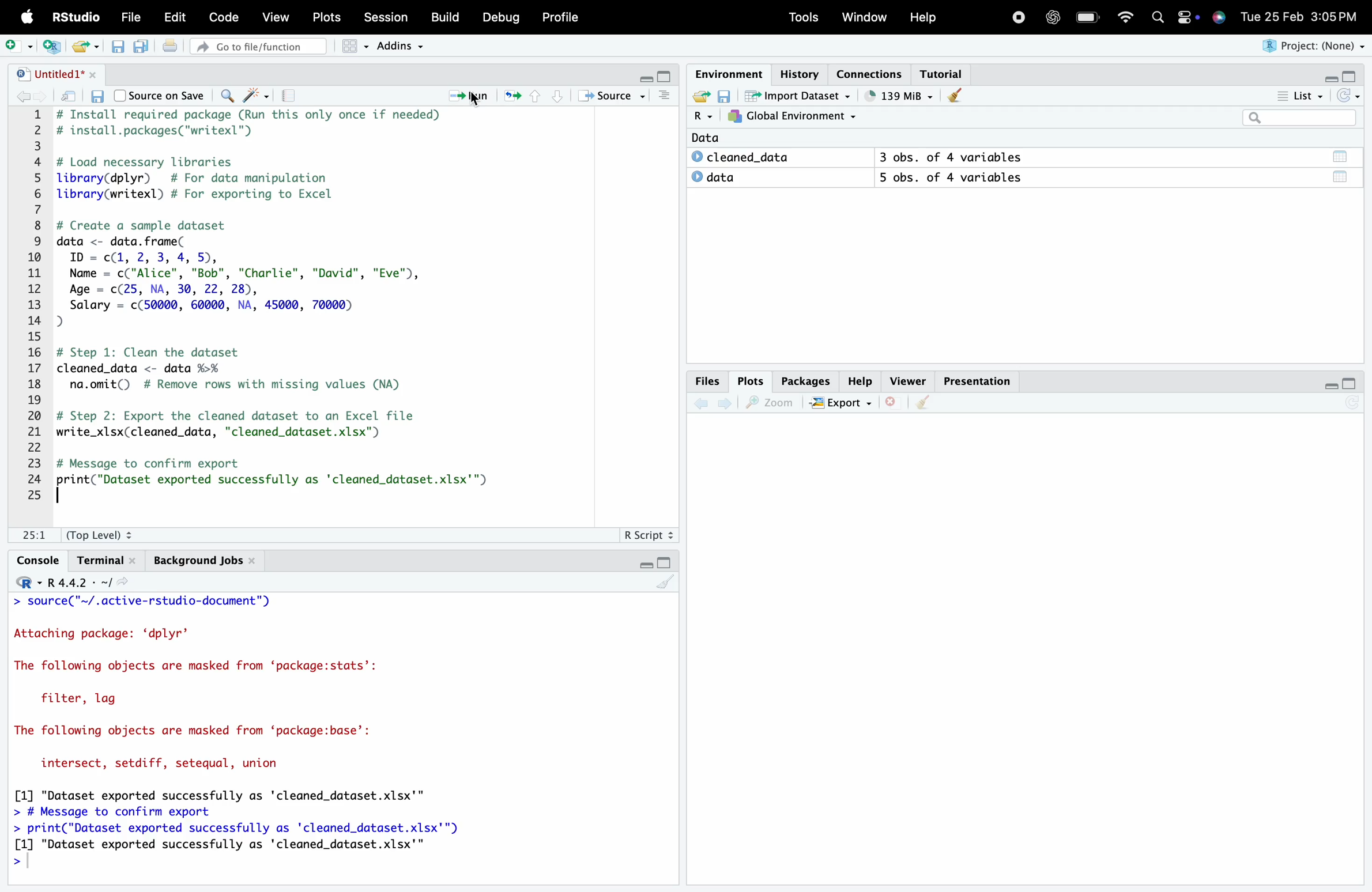 Image resolution: width=1372 pixels, height=892 pixels. Describe the element at coordinates (700, 96) in the screenshot. I see `Load workspace` at that location.